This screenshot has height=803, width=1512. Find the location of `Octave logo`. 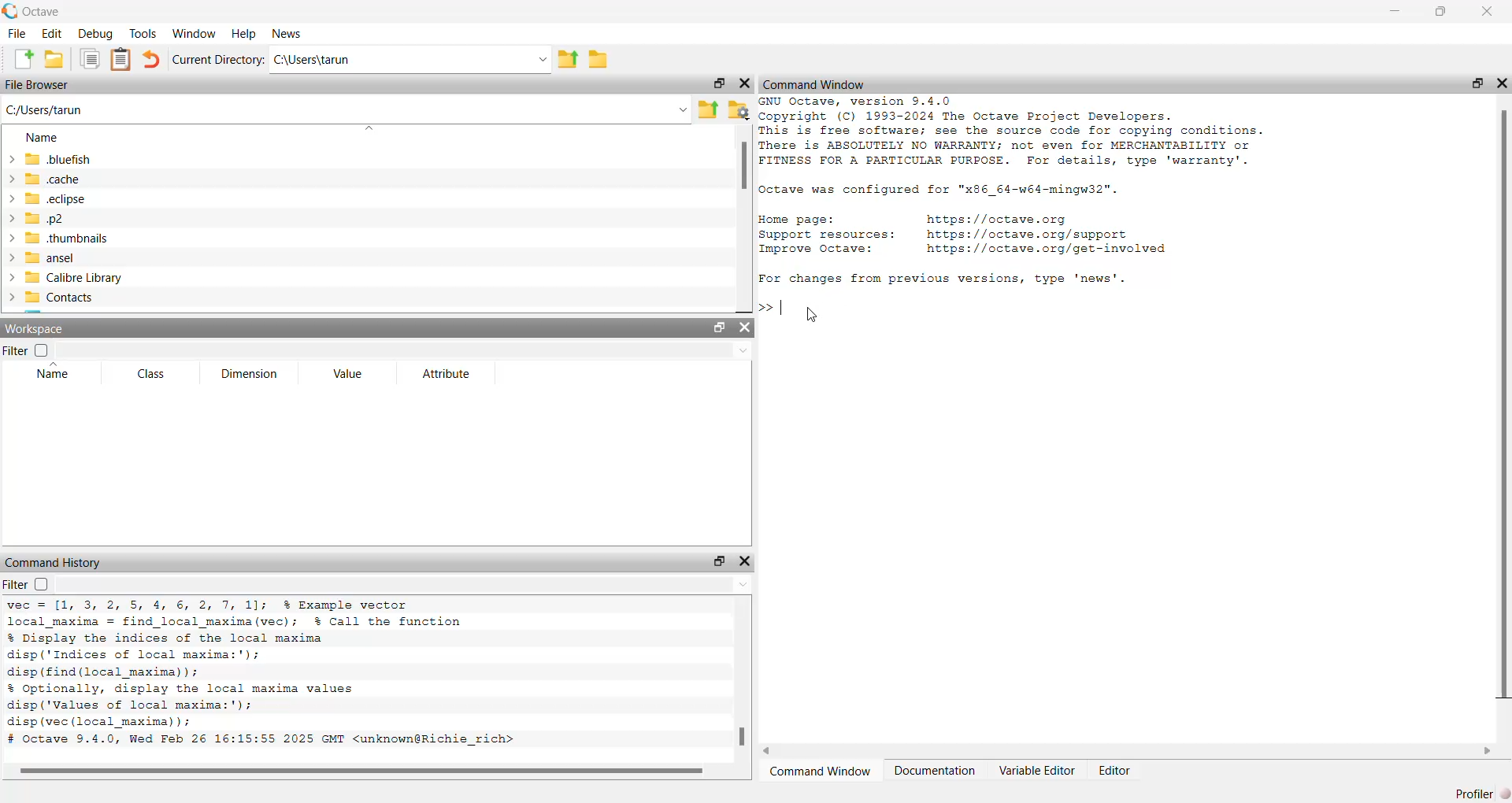

Octave logo is located at coordinates (10, 12).